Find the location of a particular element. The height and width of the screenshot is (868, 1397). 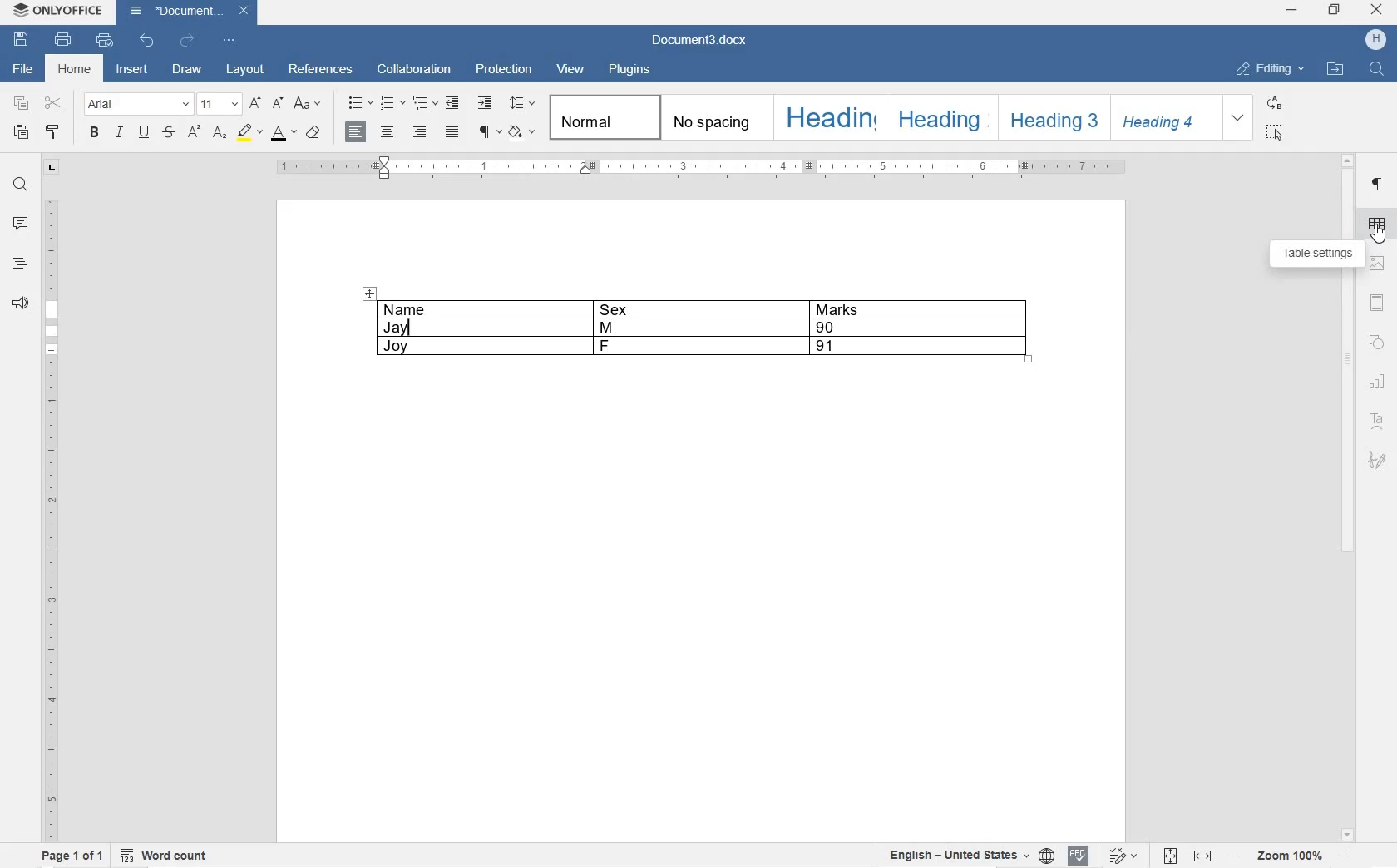

SUPERSCRIPT is located at coordinates (193, 135).